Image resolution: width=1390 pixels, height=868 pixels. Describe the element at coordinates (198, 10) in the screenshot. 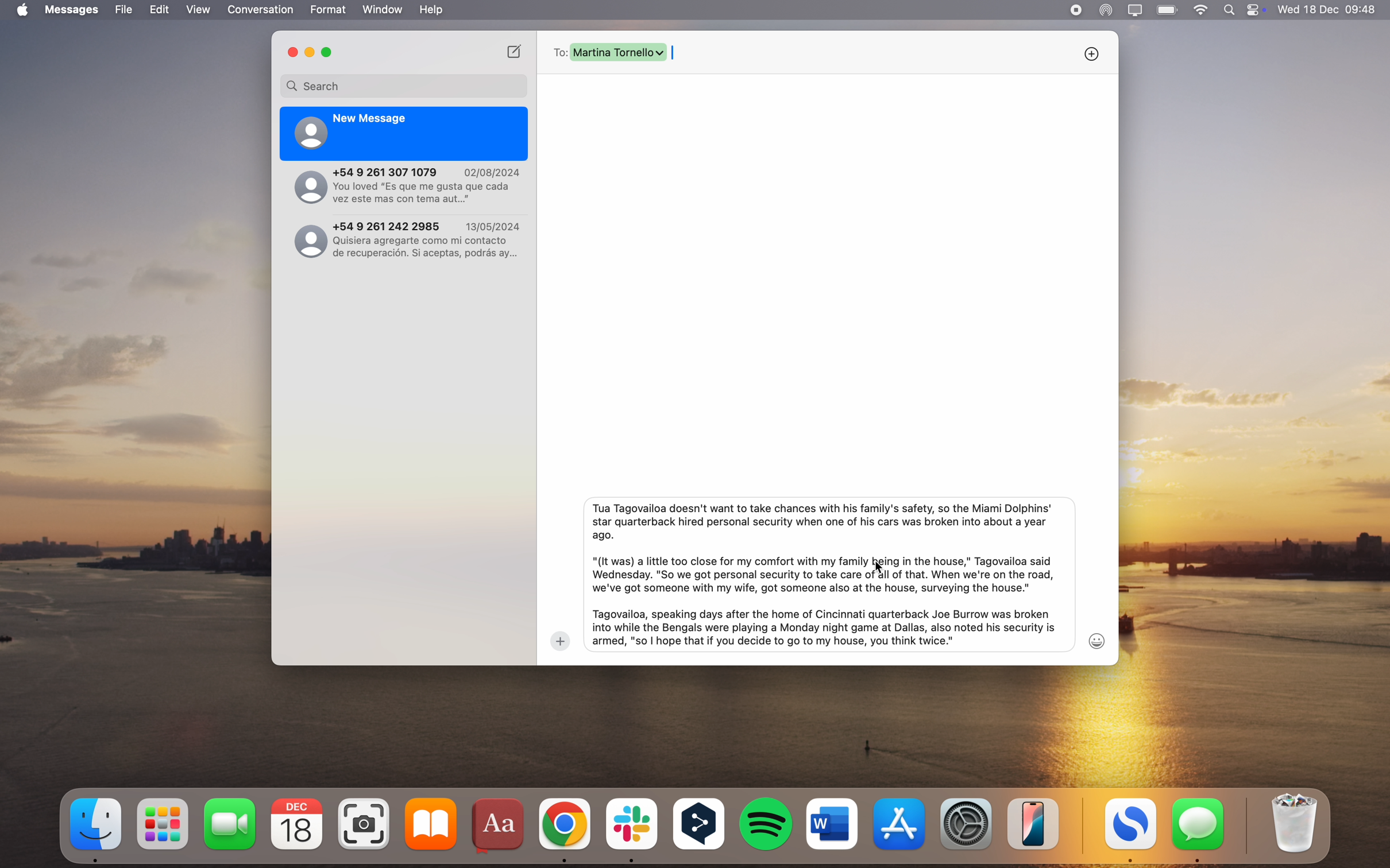

I see `view` at that location.